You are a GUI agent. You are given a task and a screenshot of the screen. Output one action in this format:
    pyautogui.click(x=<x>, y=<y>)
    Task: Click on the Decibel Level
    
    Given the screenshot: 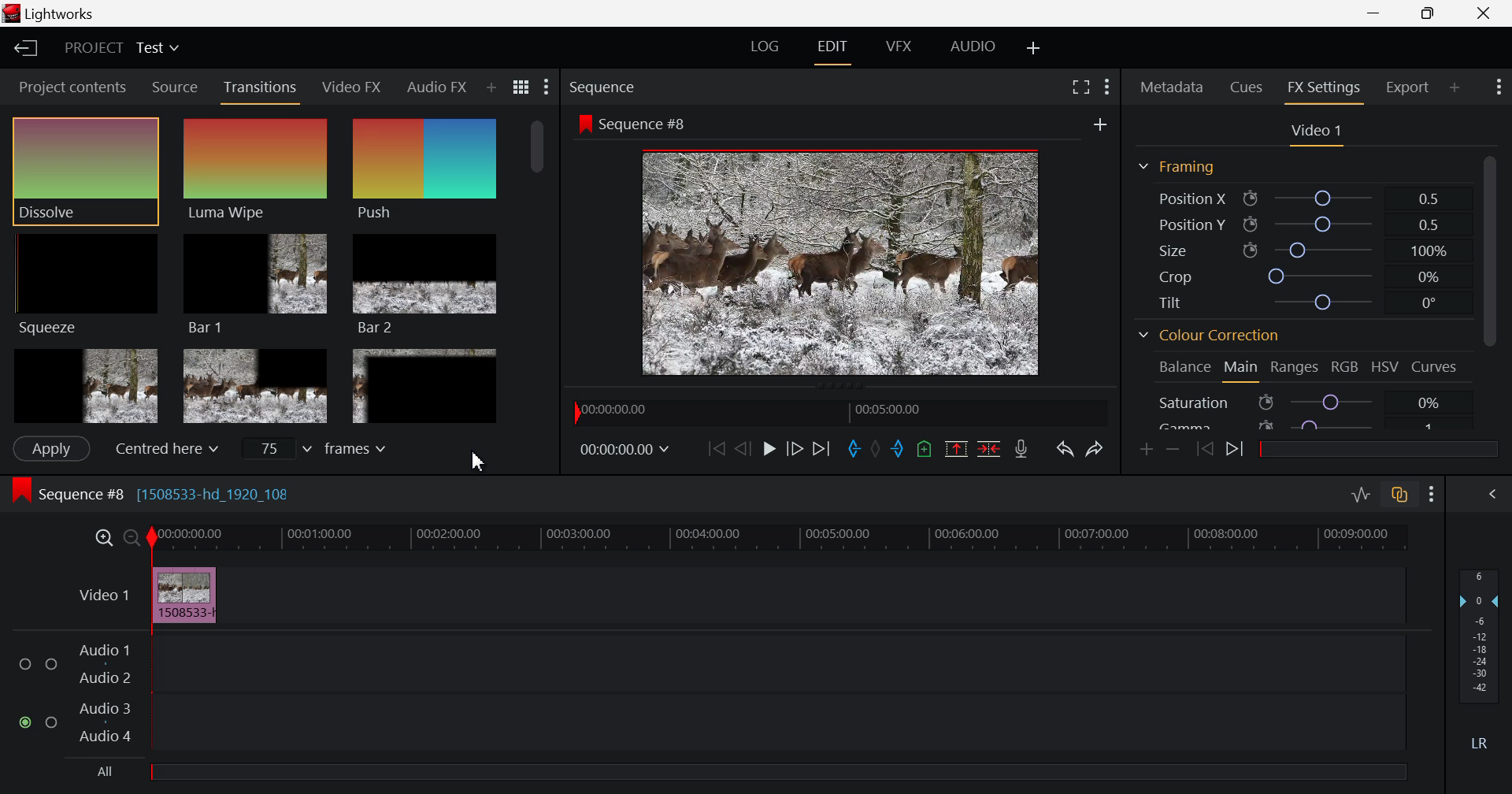 What is the action you would take?
    pyautogui.click(x=1480, y=655)
    